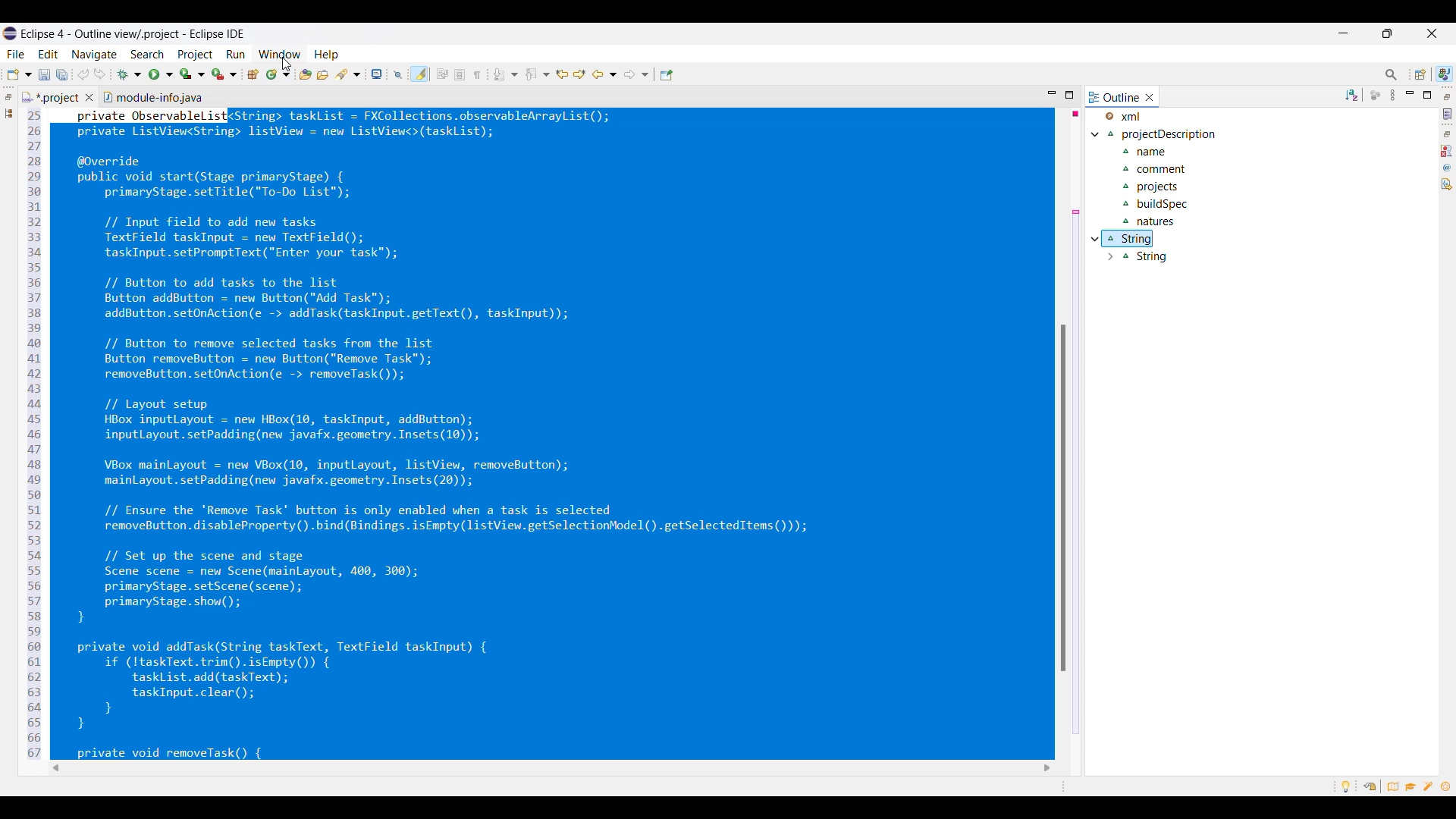 The image size is (1456, 819). I want to click on Focus on active task, so click(1375, 96).